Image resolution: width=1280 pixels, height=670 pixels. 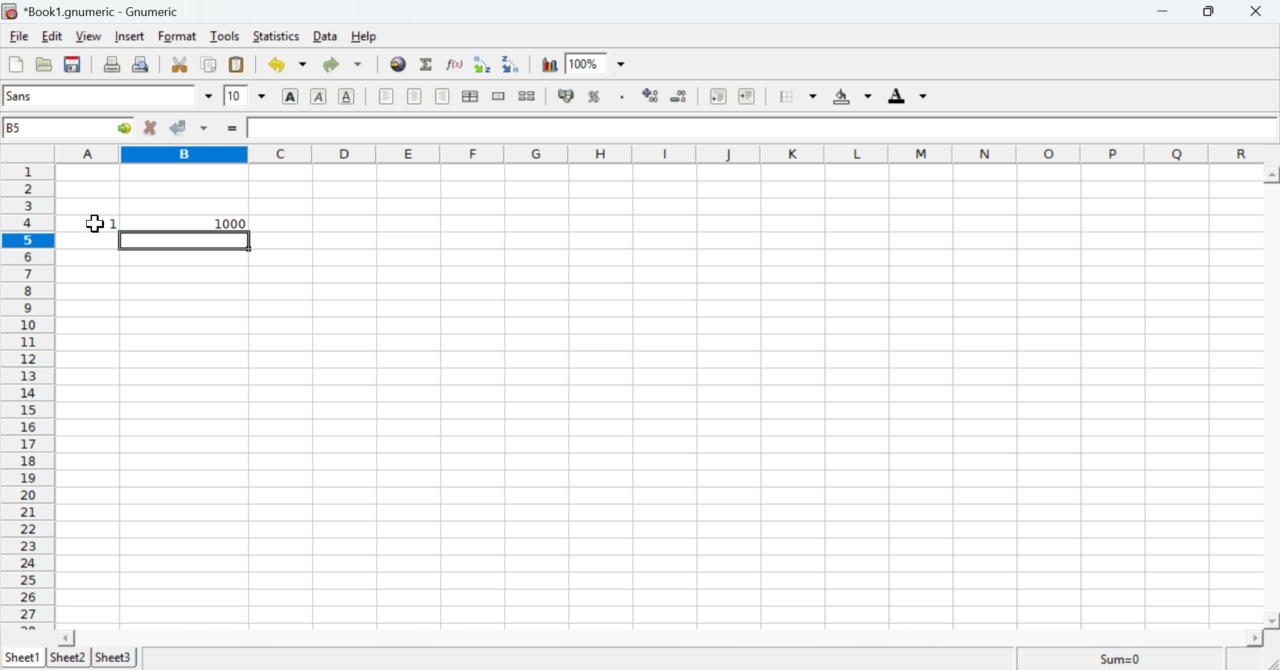 What do you see at coordinates (566, 96) in the screenshot?
I see `Format the selection as accounting` at bounding box center [566, 96].